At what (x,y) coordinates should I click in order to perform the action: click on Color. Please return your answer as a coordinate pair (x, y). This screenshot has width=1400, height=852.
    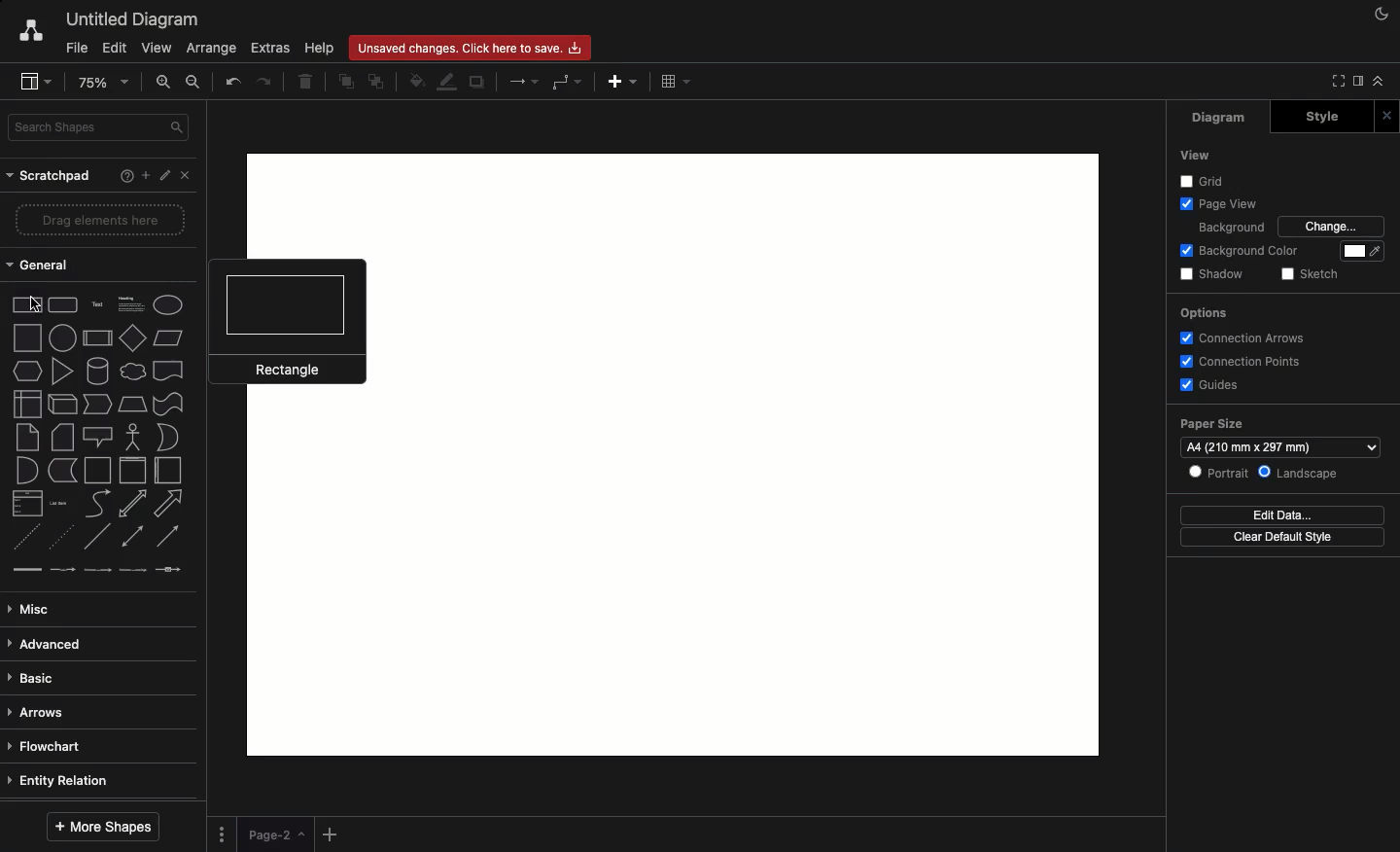
    Looking at the image, I should click on (1356, 252).